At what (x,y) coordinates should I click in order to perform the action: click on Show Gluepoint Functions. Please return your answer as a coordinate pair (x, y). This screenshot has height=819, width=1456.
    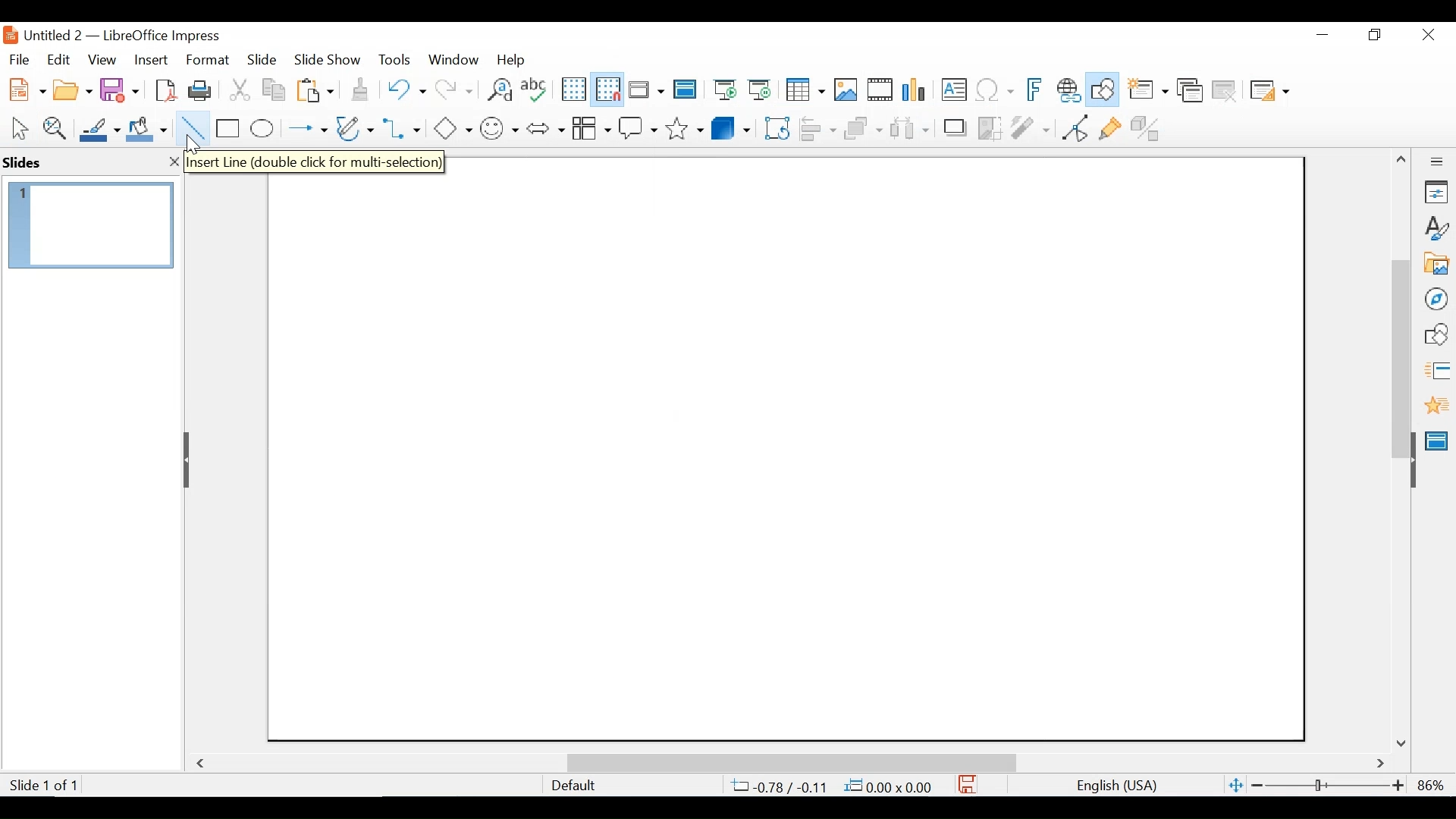
    Looking at the image, I should click on (1109, 127).